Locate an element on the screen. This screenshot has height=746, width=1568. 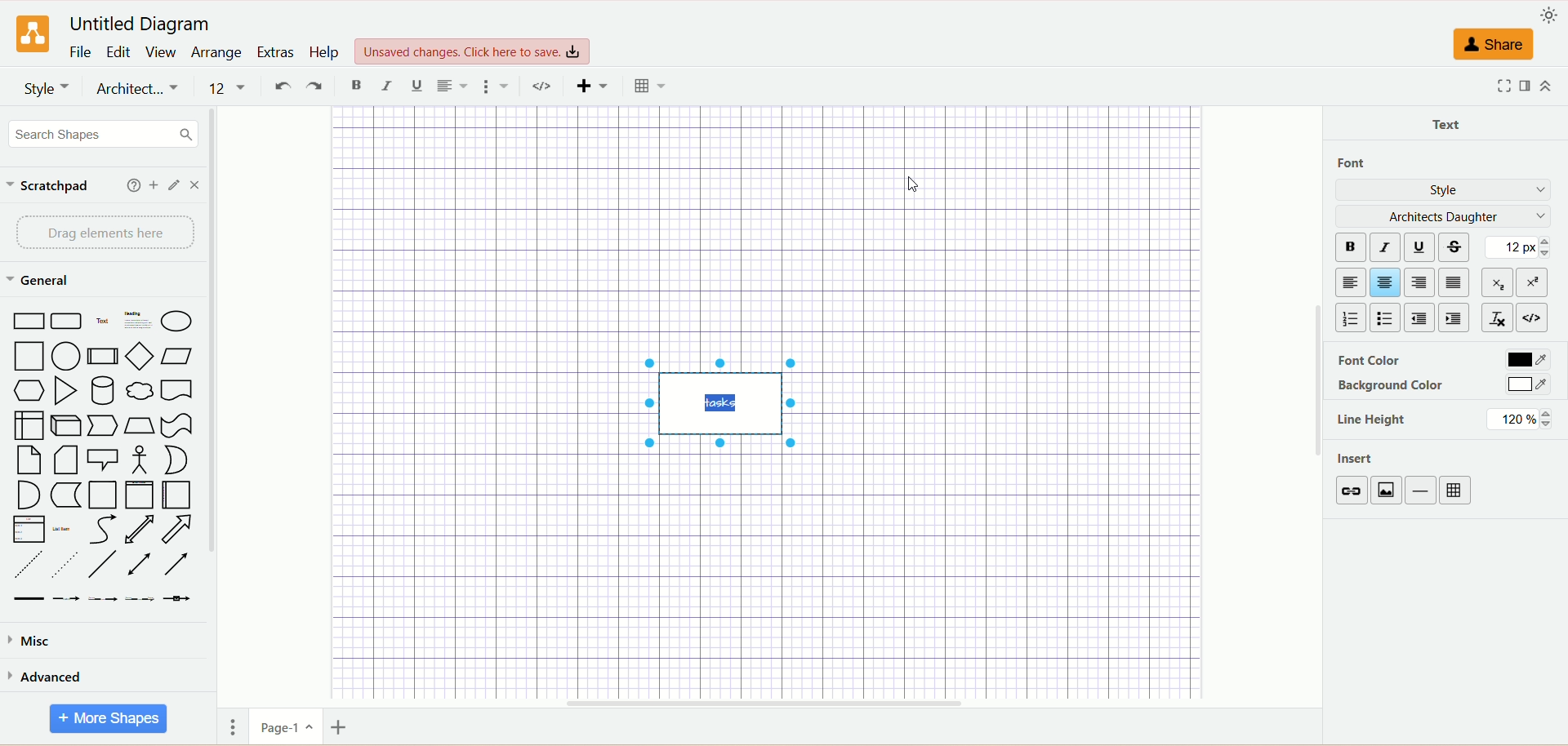
bold is located at coordinates (1349, 246).